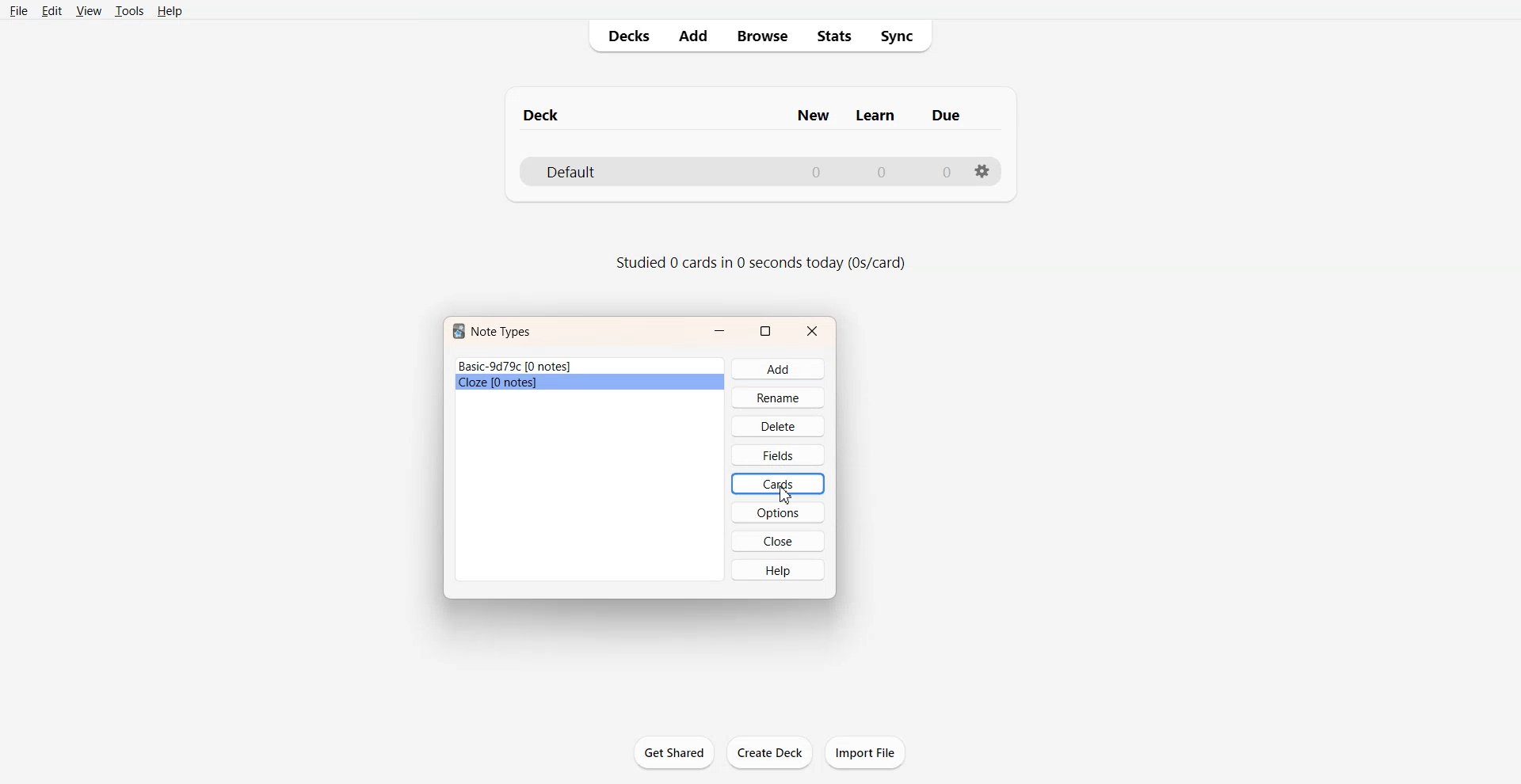  What do you see at coordinates (720, 331) in the screenshot?
I see `Minimize` at bounding box center [720, 331].